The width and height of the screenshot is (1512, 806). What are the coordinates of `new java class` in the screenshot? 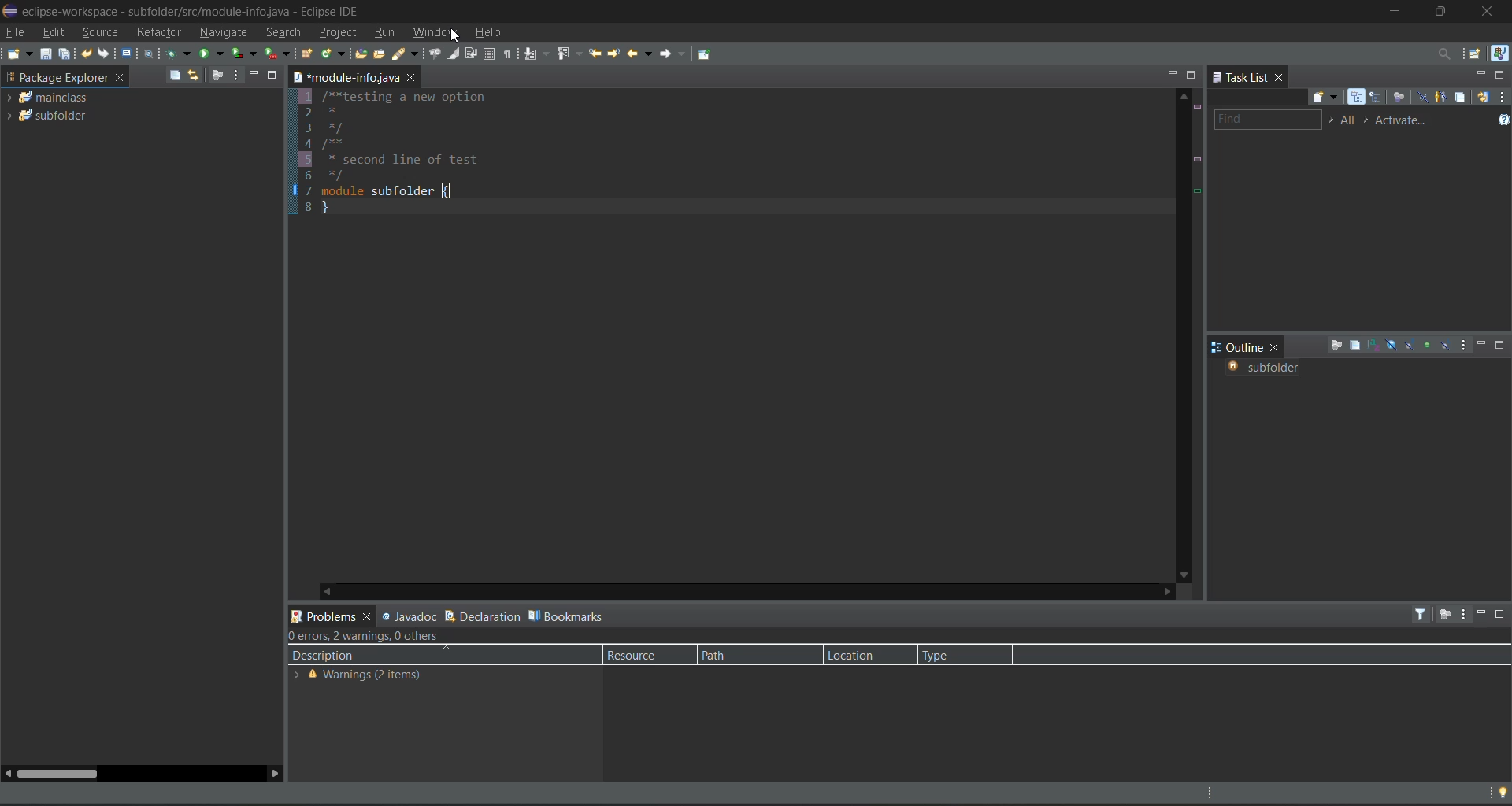 It's located at (332, 53).